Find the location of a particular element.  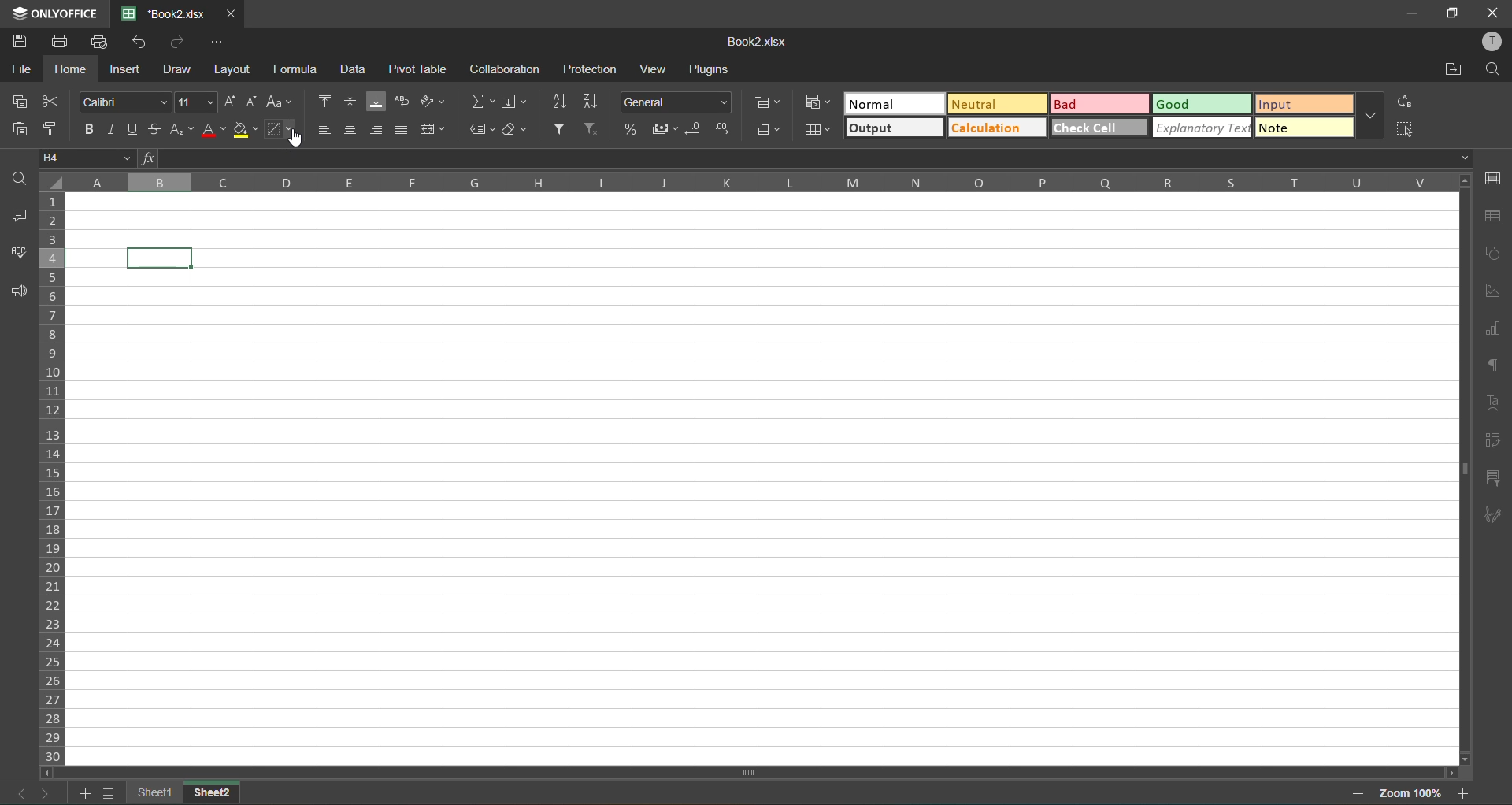

charts is located at coordinates (1493, 330).